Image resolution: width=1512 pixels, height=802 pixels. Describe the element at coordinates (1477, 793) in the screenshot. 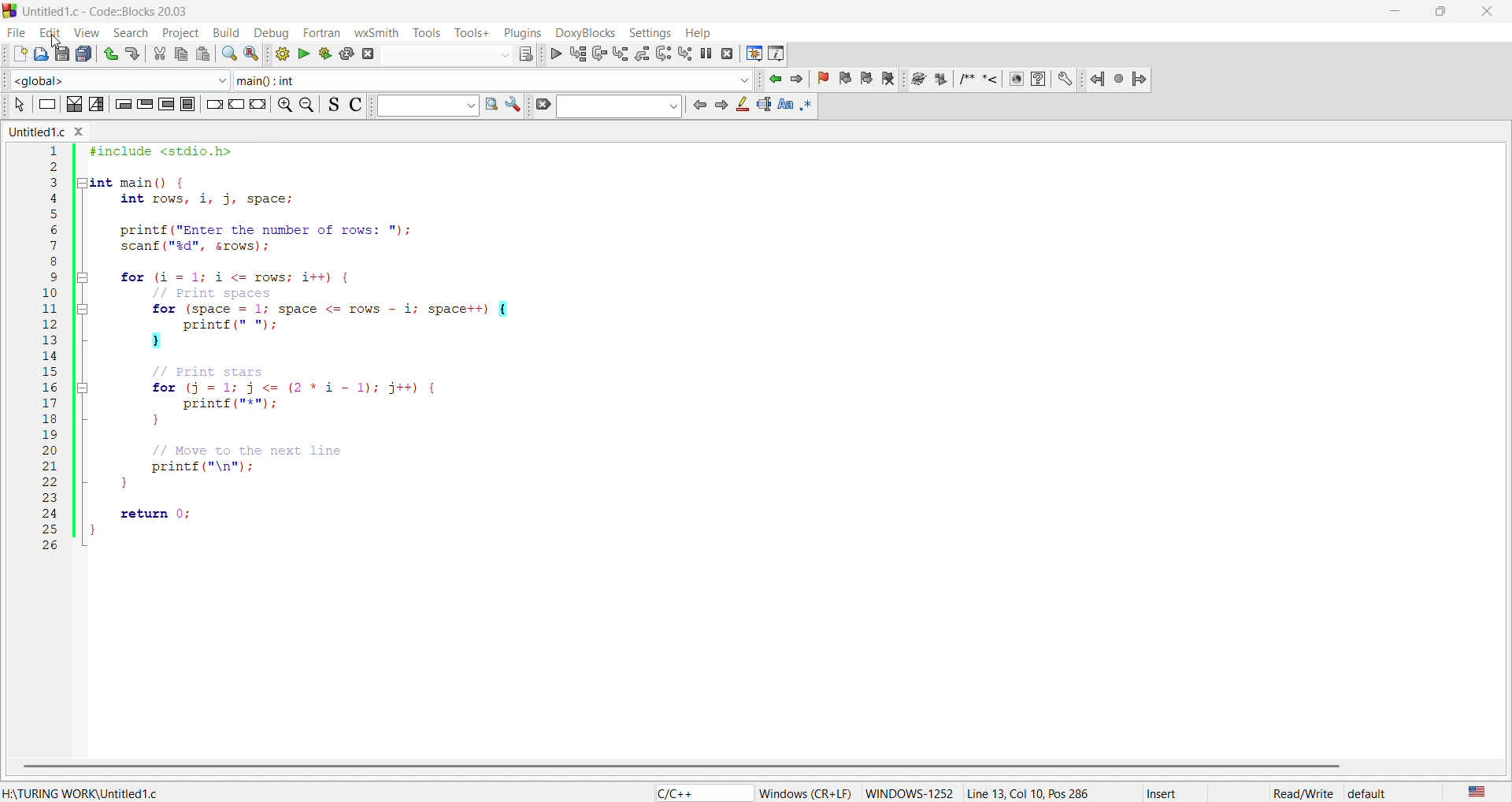

I see `LANGUAGE` at that location.